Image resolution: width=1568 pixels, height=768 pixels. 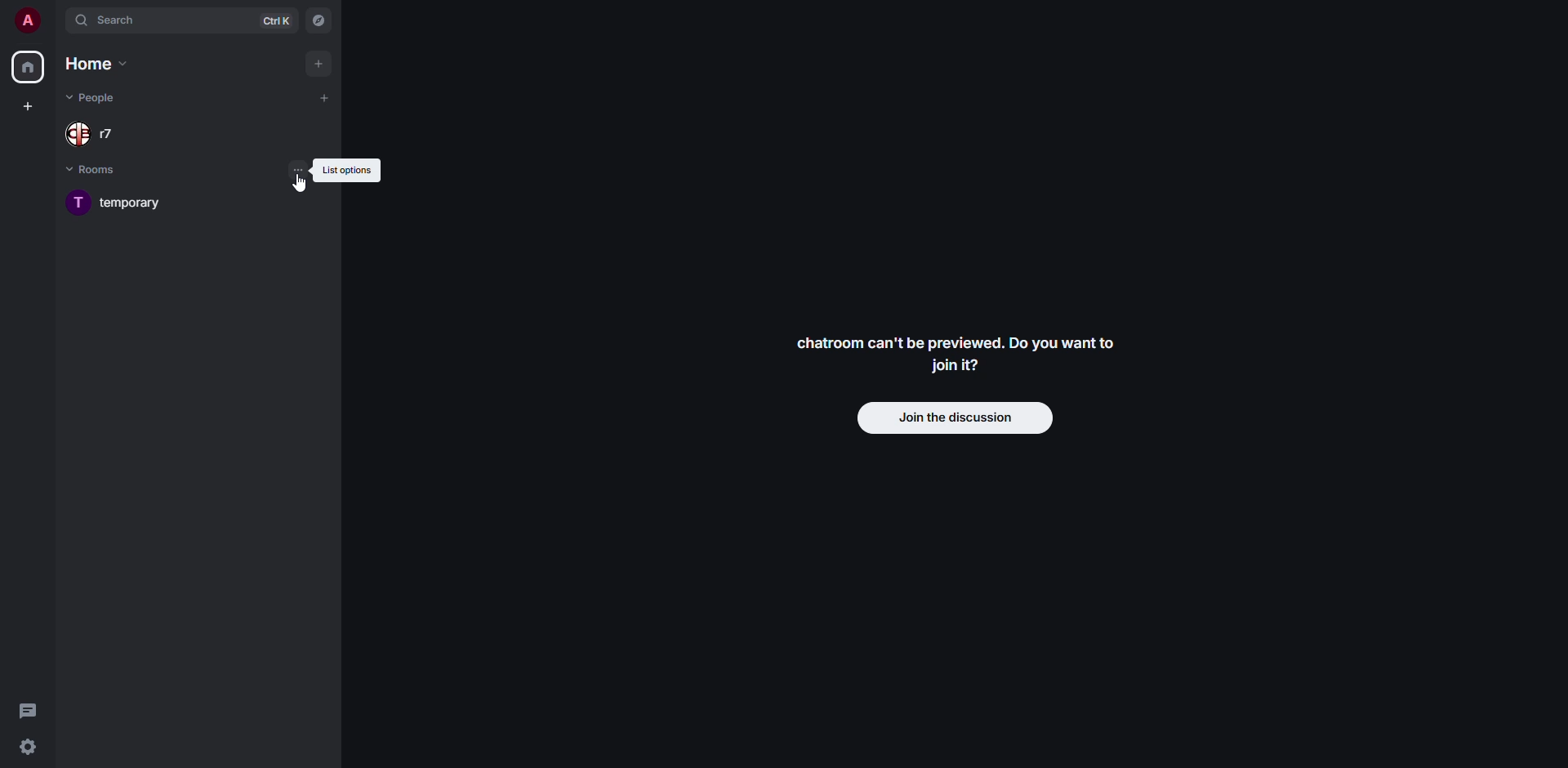 I want to click on threads, so click(x=31, y=712).